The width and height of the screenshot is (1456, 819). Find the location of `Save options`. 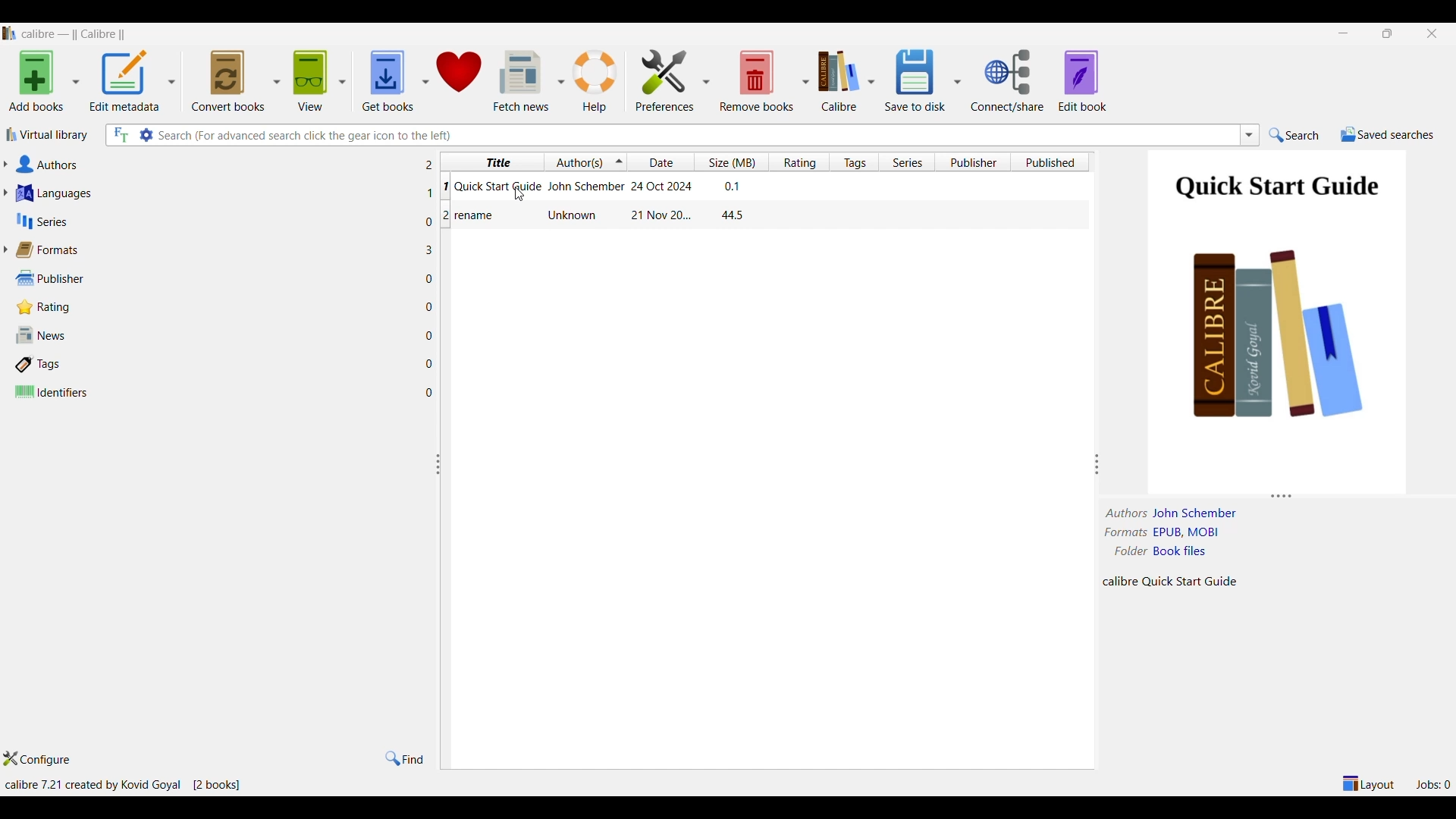

Save options is located at coordinates (956, 81).